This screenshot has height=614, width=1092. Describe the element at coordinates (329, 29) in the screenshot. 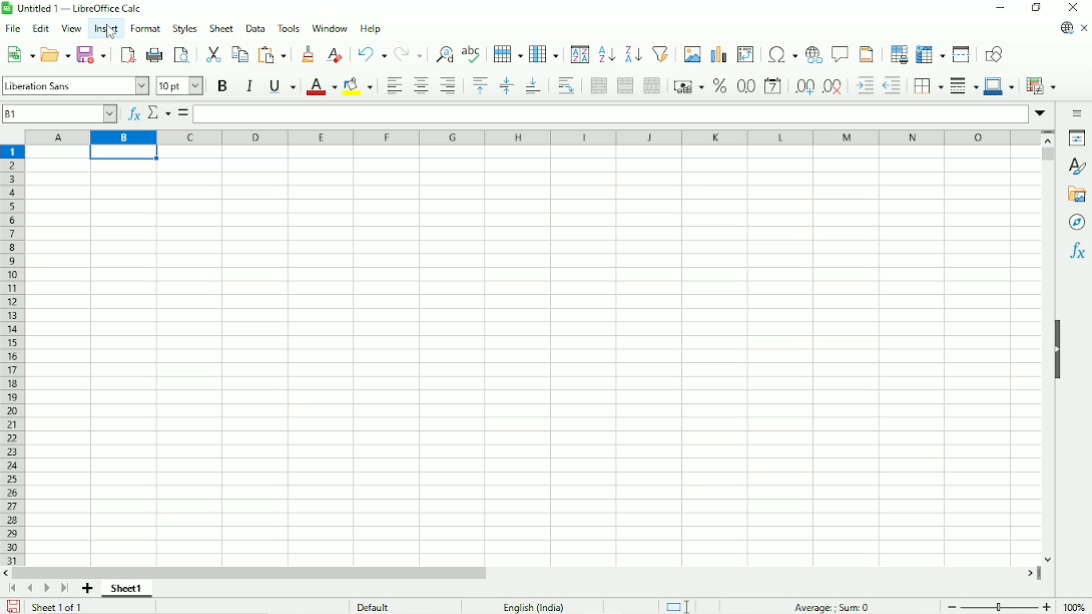

I see `Window` at that location.